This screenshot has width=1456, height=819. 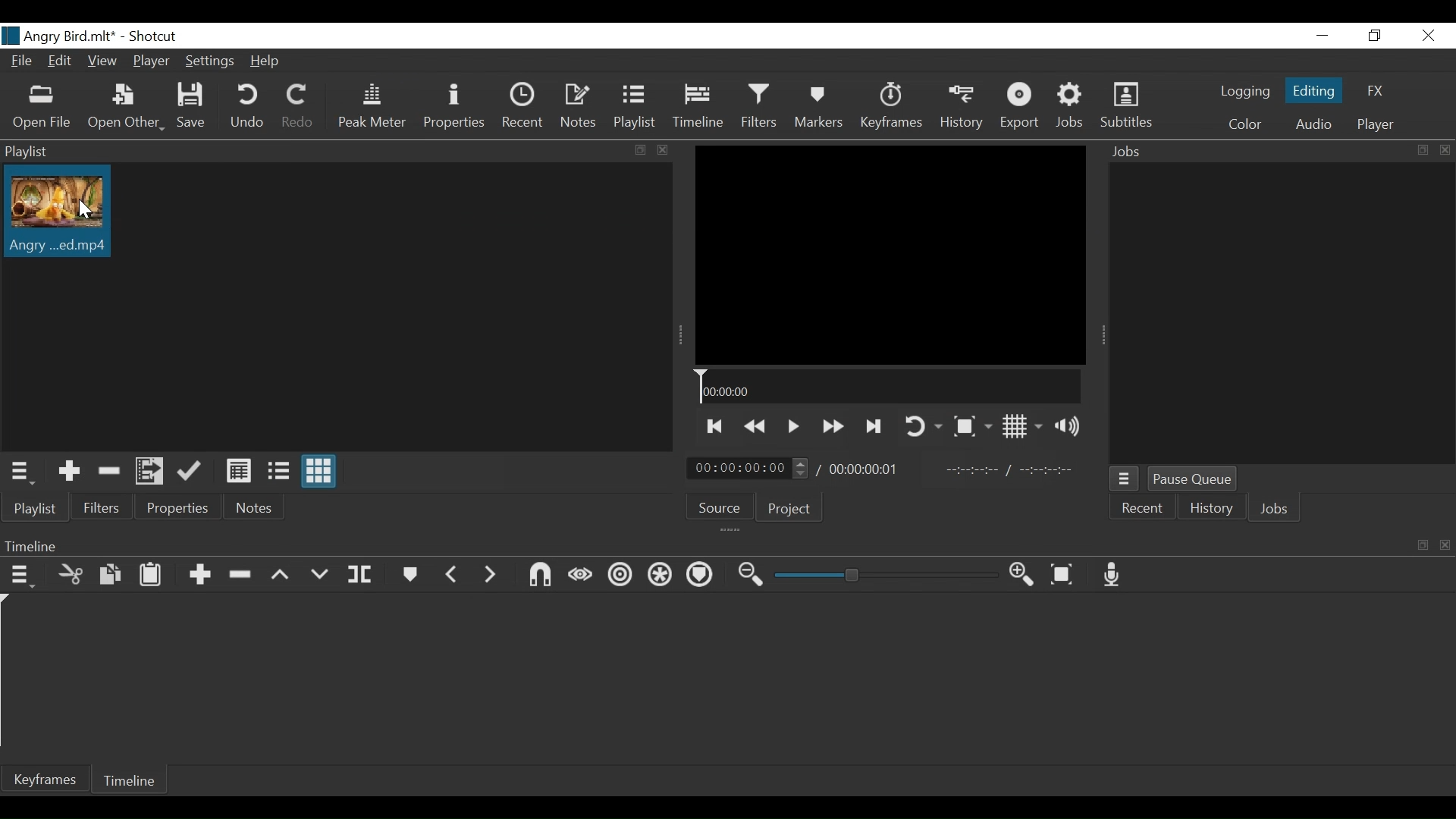 What do you see at coordinates (581, 576) in the screenshot?
I see `Scrub while dragging` at bounding box center [581, 576].